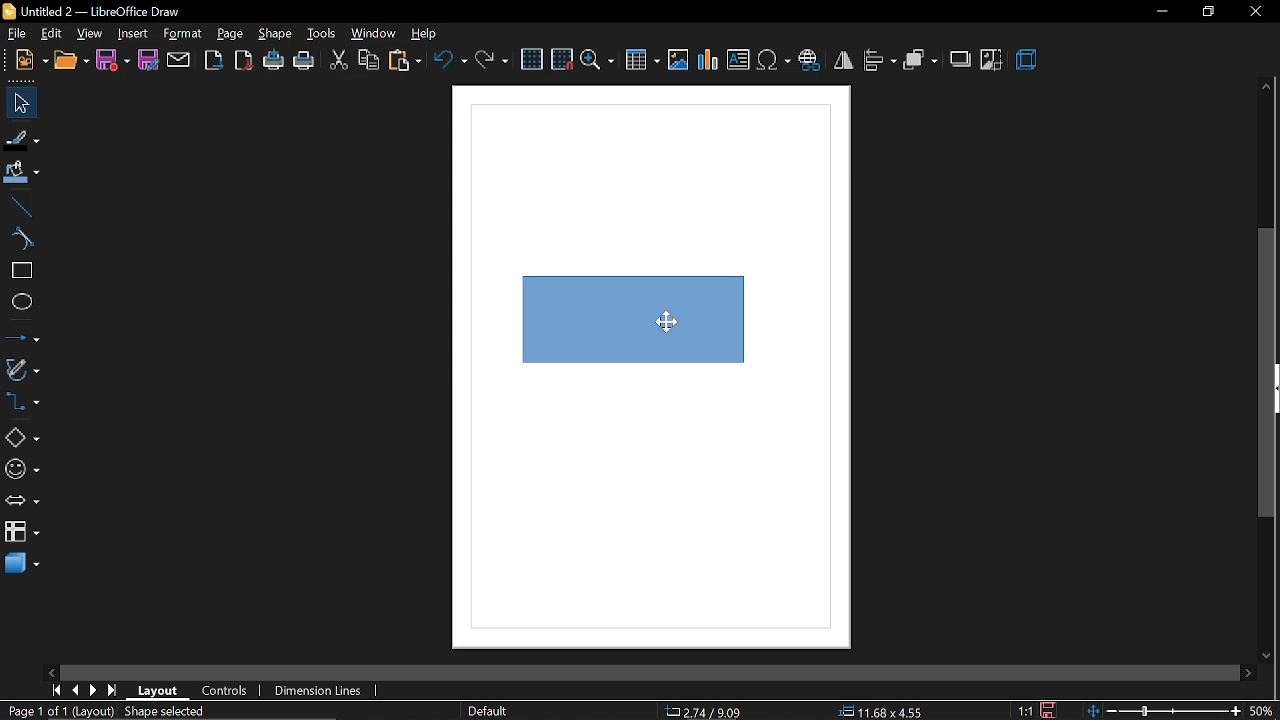 This screenshot has height=720, width=1280. What do you see at coordinates (21, 531) in the screenshot?
I see `flowchart` at bounding box center [21, 531].